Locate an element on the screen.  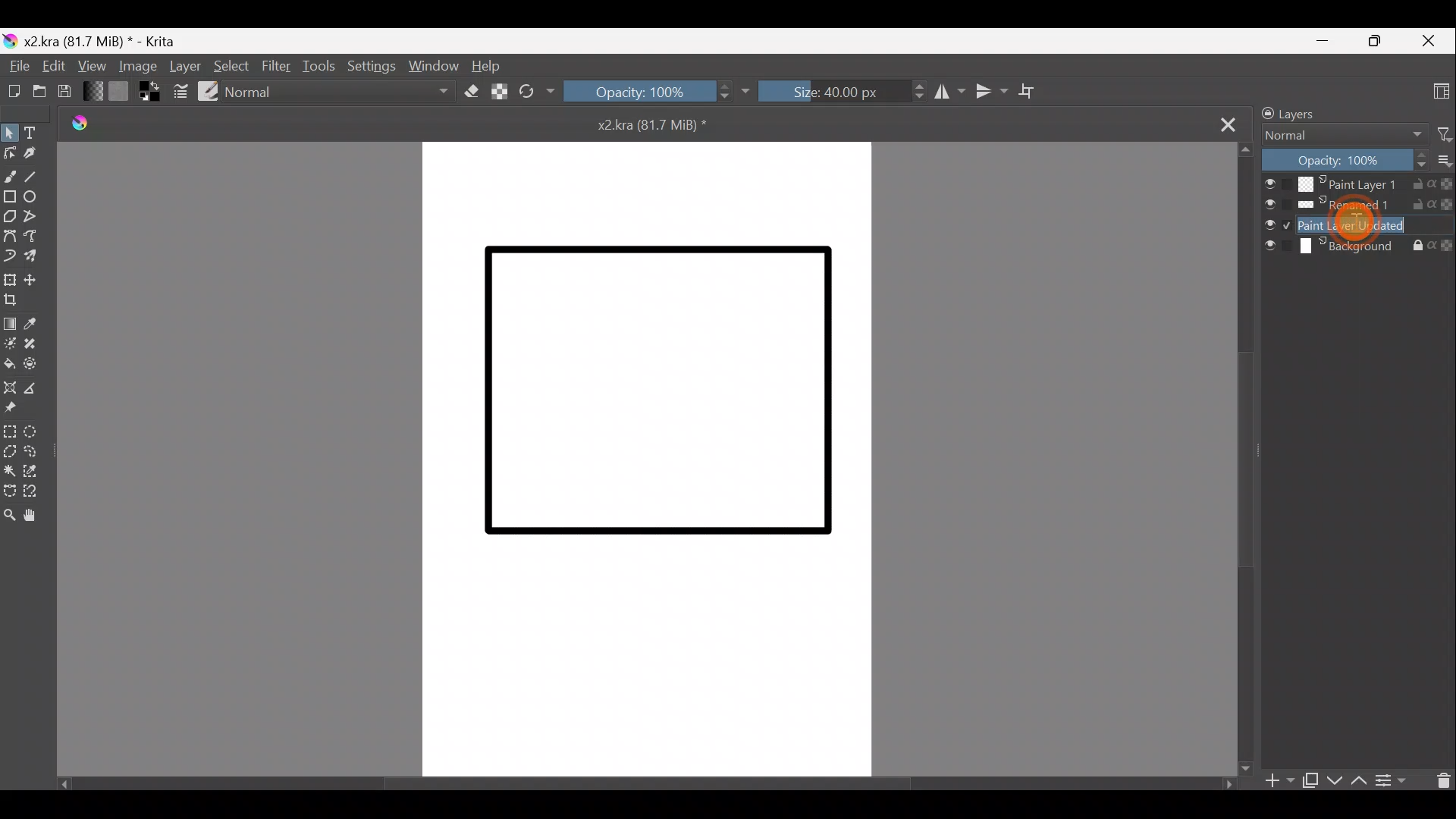
x2.kra (81.7 MiB) * - Krita is located at coordinates (102, 41).